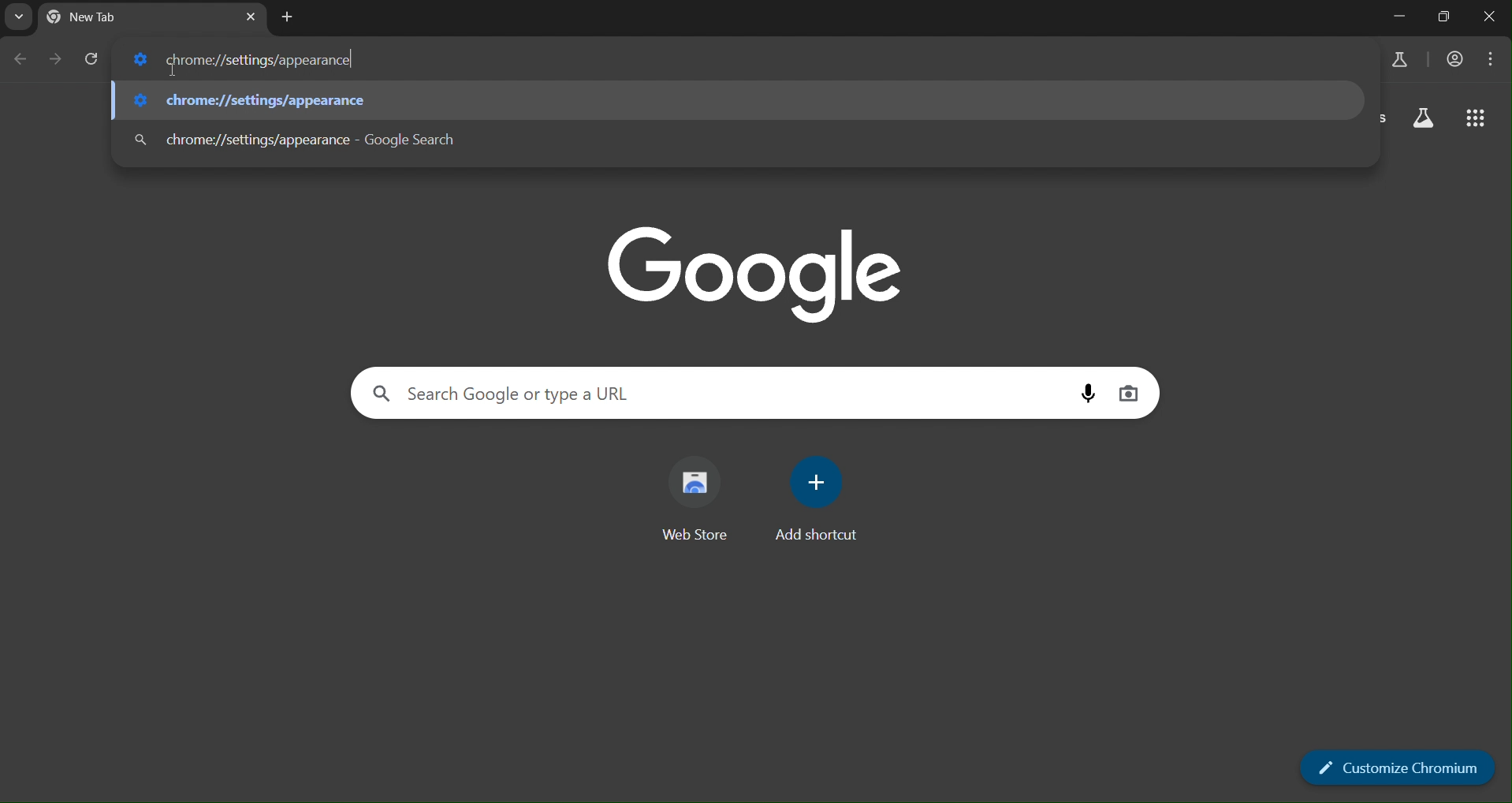 This screenshot has width=1512, height=803. I want to click on minimize, so click(1401, 17).